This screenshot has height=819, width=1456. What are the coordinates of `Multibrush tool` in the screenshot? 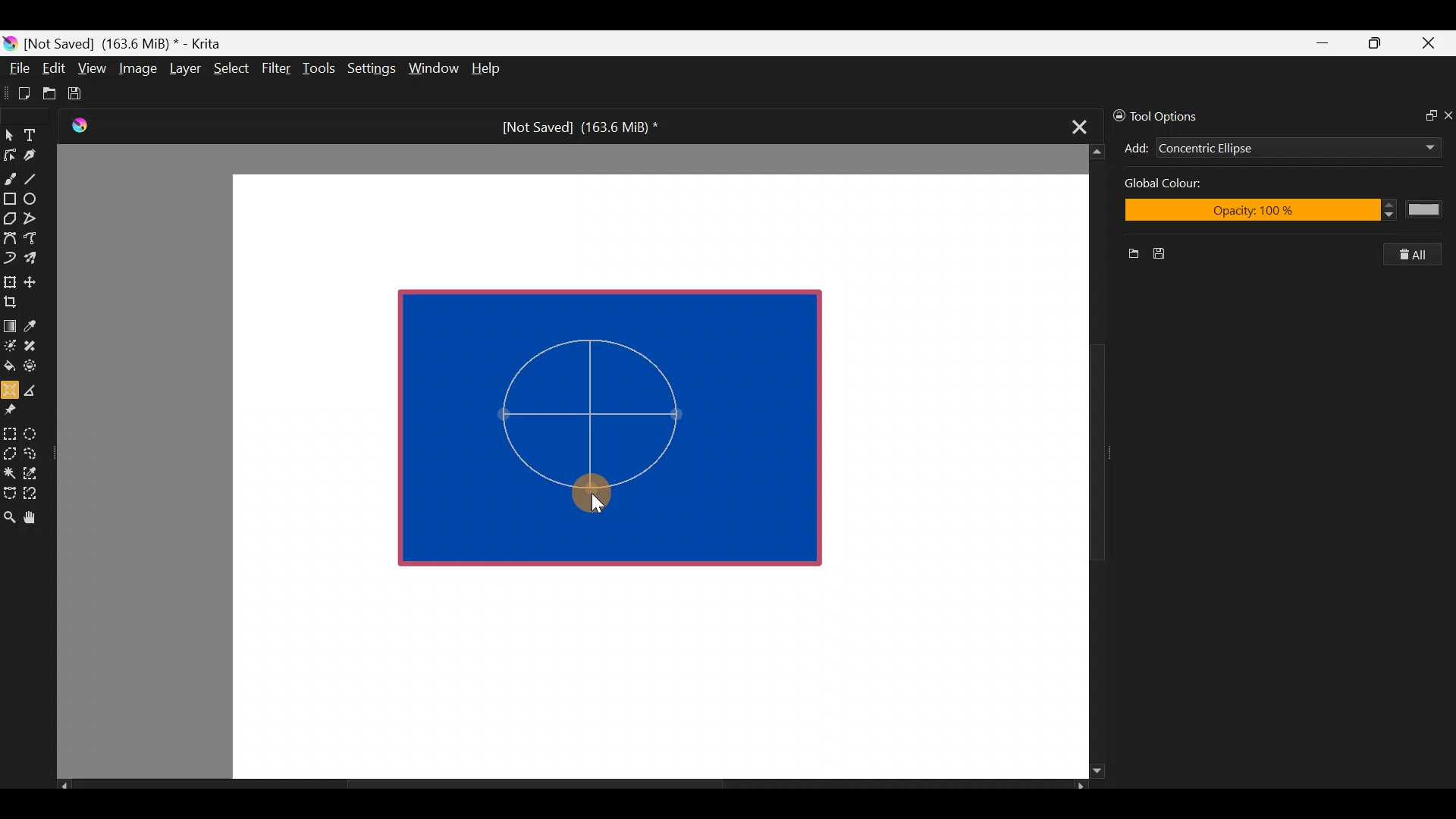 It's located at (36, 257).